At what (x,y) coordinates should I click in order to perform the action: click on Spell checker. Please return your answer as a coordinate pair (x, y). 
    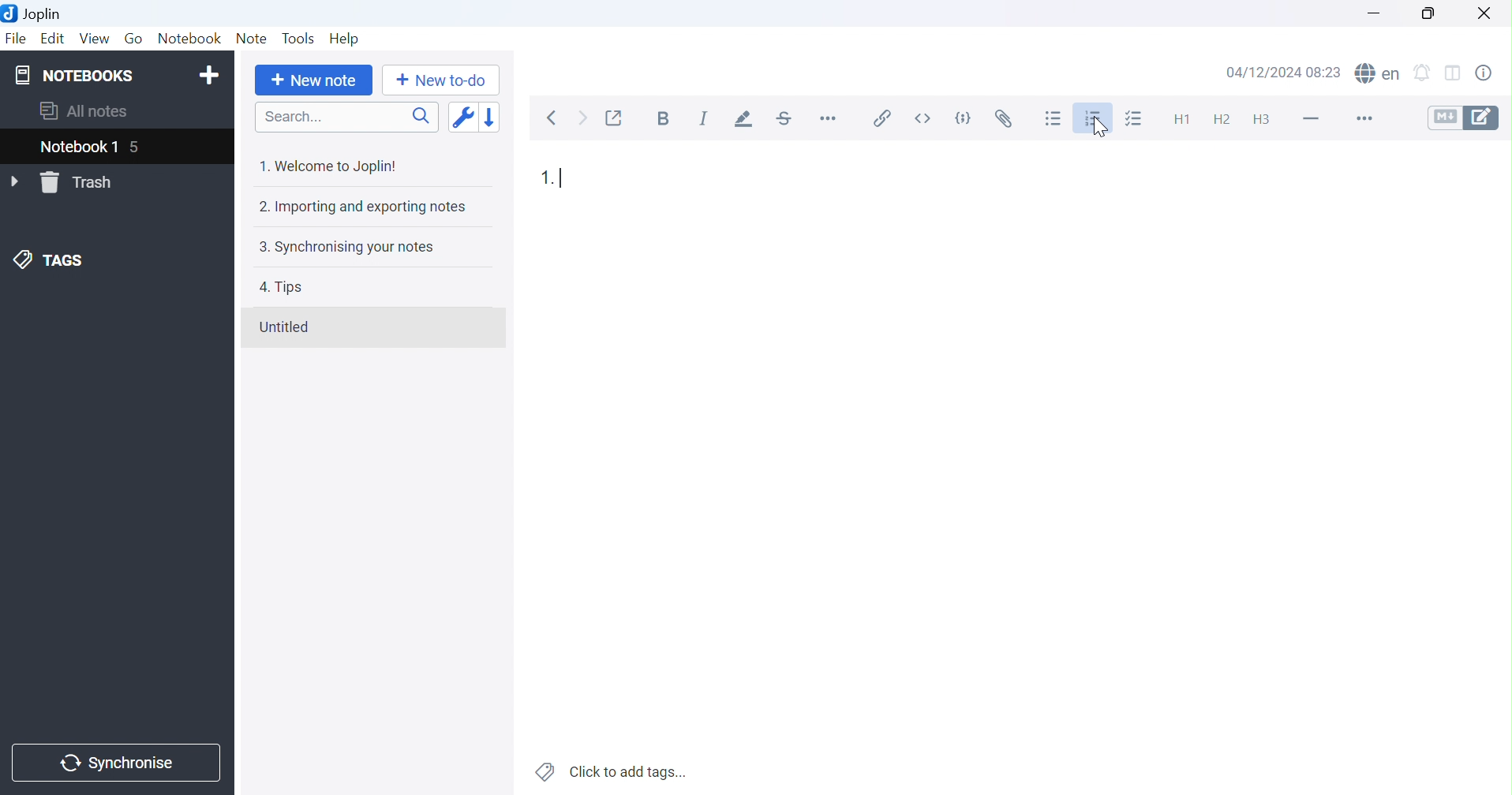
    Looking at the image, I should click on (1379, 72).